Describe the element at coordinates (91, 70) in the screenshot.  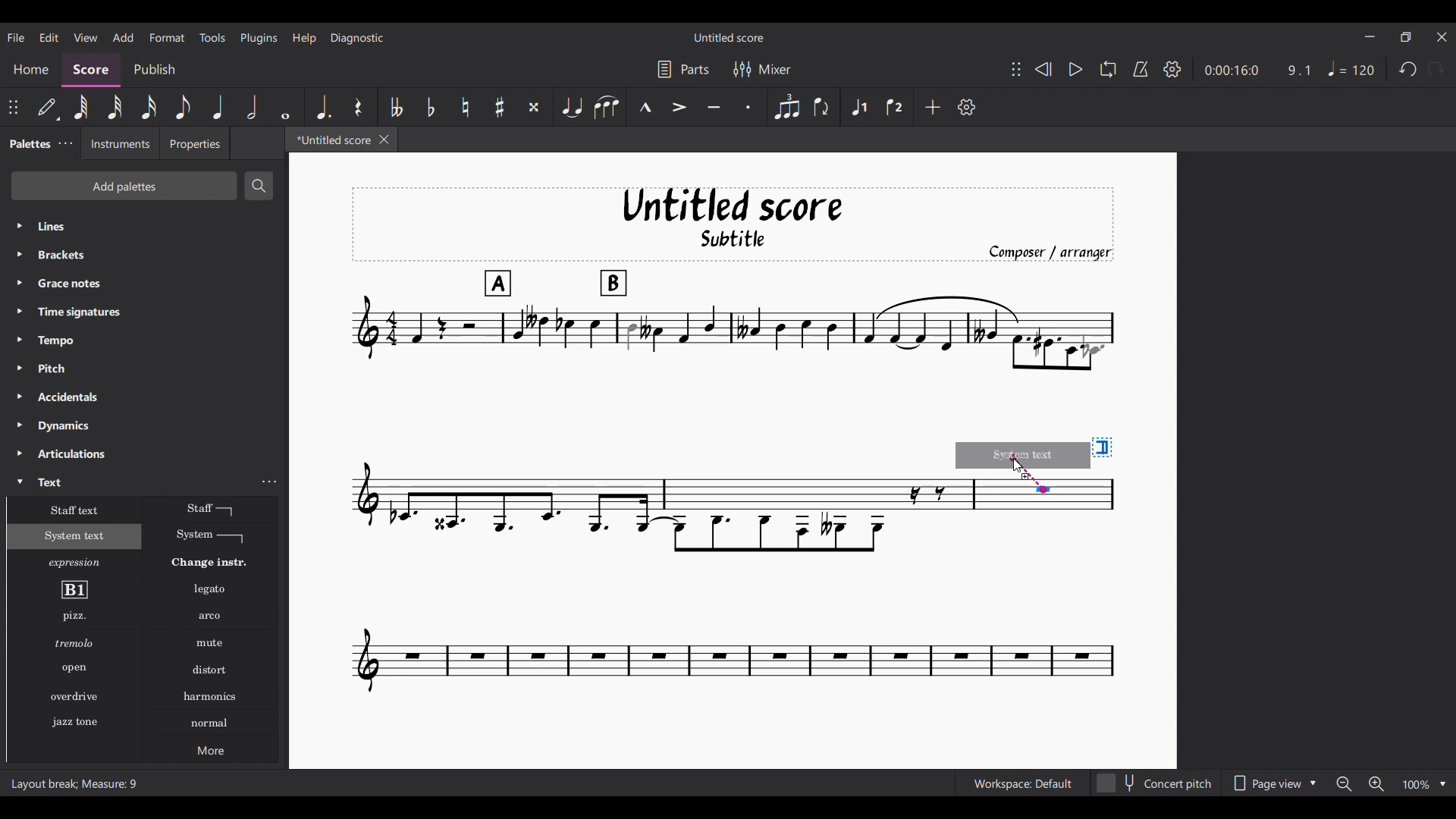
I see `Score, current section highlighted` at that location.